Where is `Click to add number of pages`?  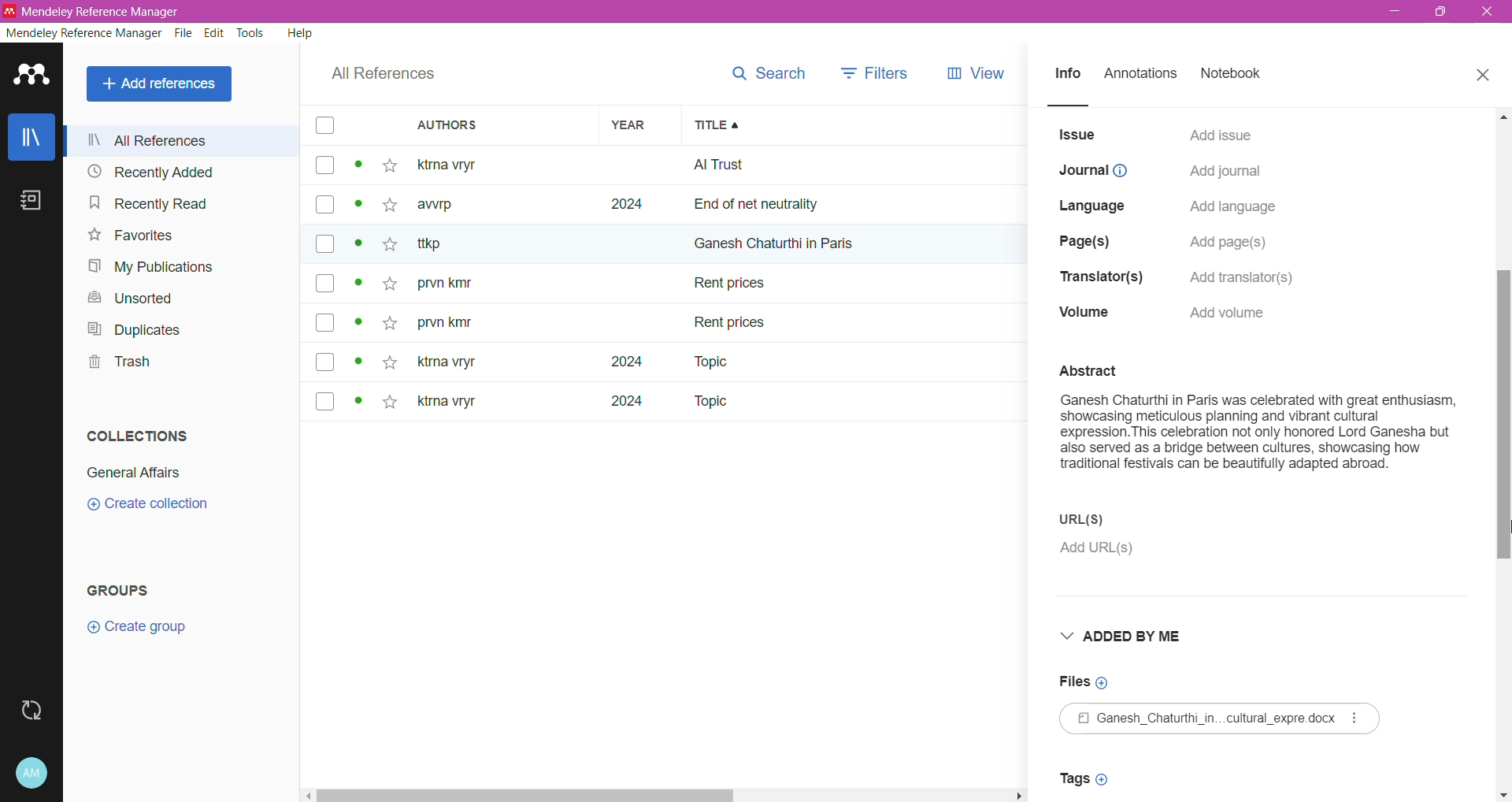
Click to add number of pages is located at coordinates (1233, 243).